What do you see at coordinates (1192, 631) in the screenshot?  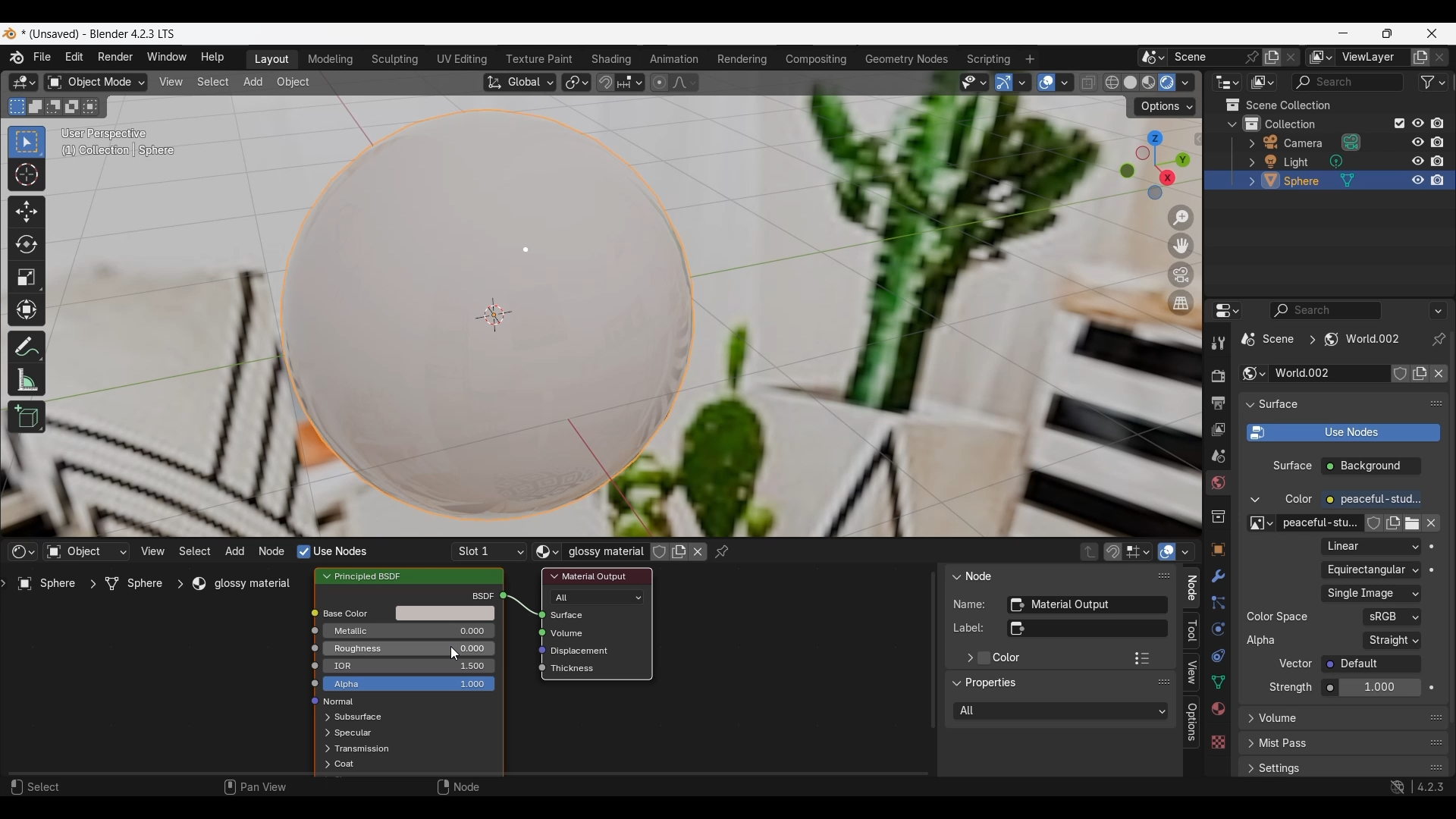 I see `Tool panel` at bounding box center [1192, 631].